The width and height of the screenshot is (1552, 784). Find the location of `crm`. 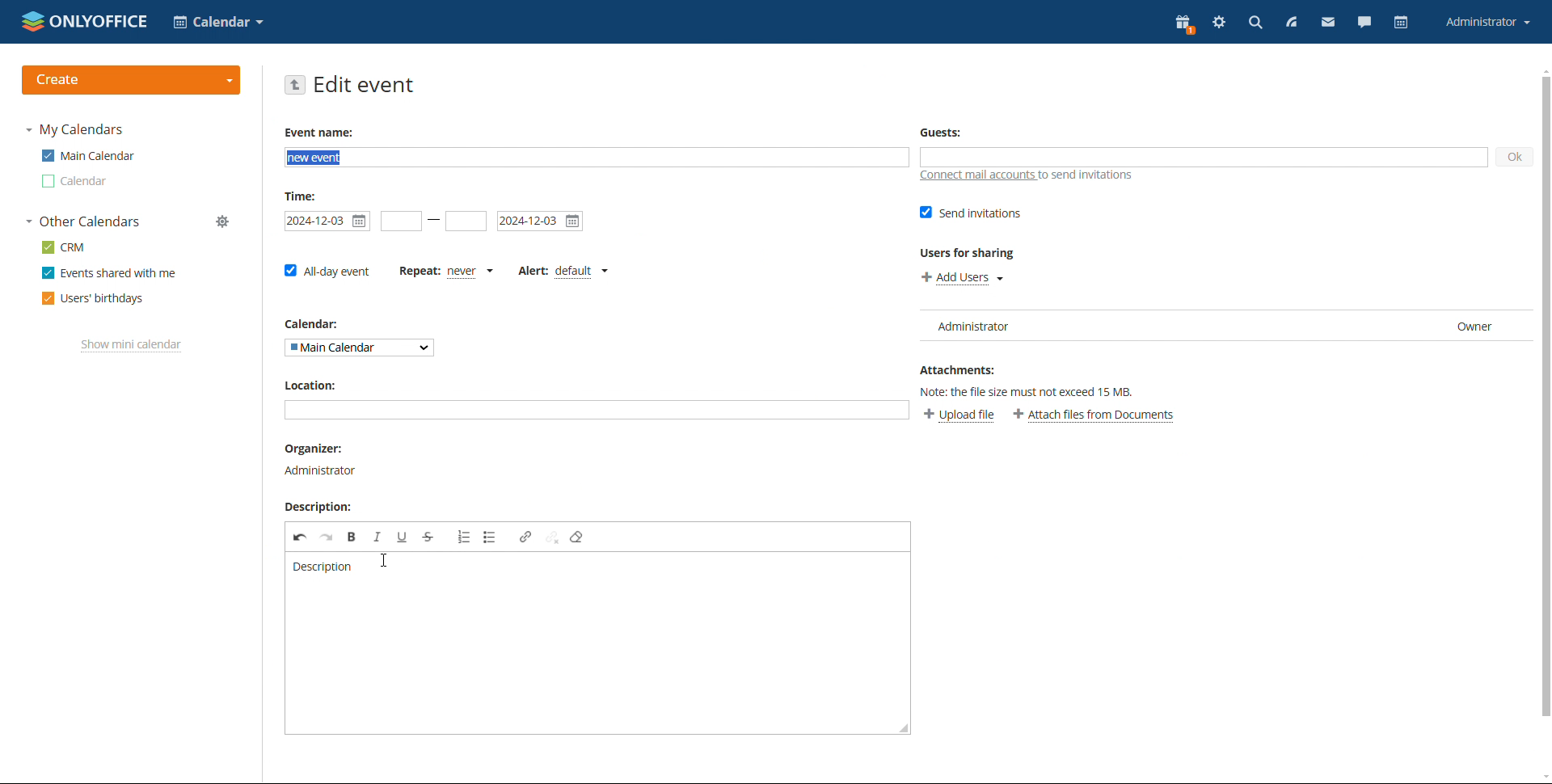

crm is located at coordinates (62, 248).